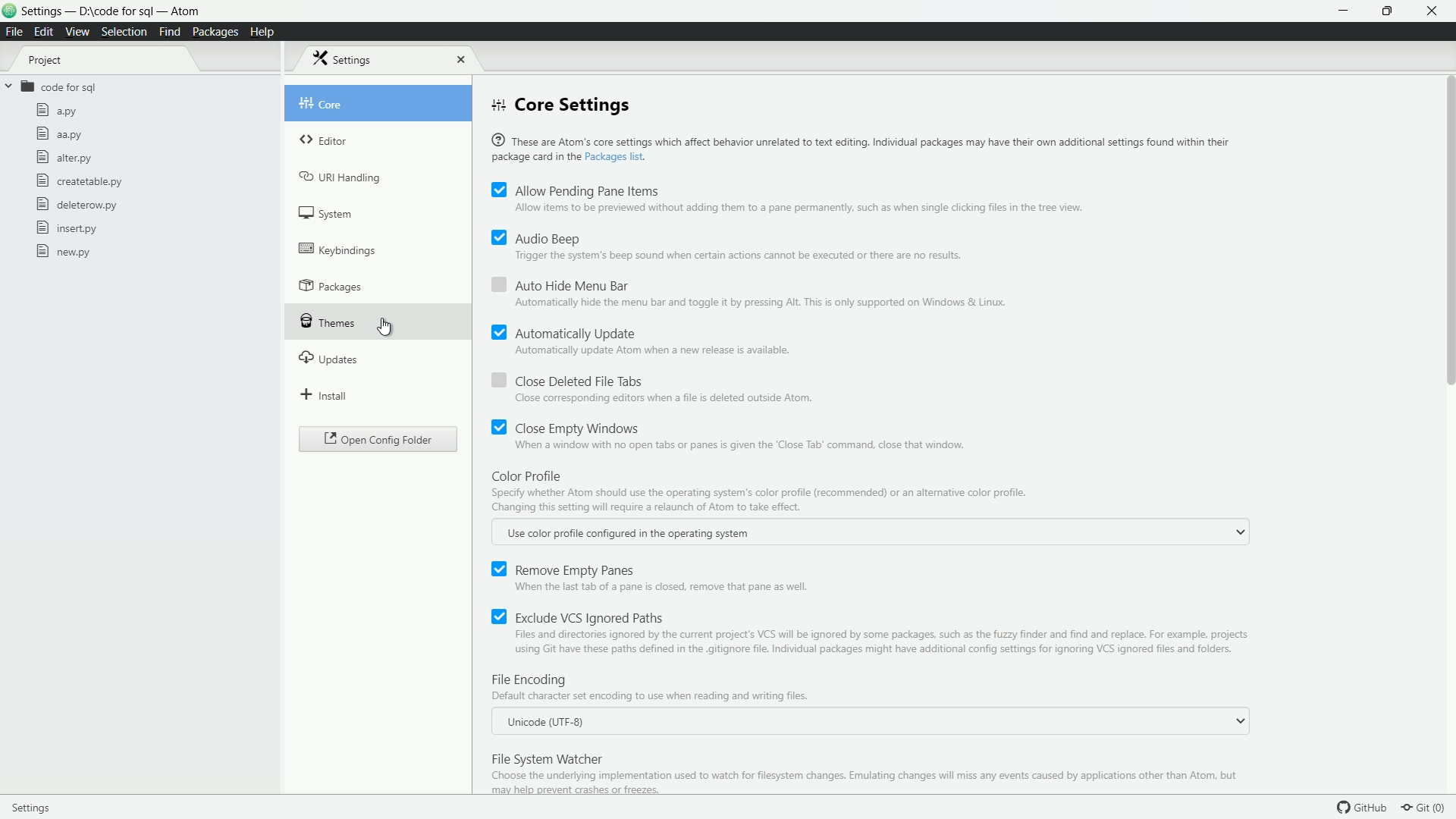 The image size is (1456, 819). What do you see at coordinates (660, 399) in the screenshot?
I see `close corresponding editors when a file is deleted outside atom` at bounding box center [660, 399].